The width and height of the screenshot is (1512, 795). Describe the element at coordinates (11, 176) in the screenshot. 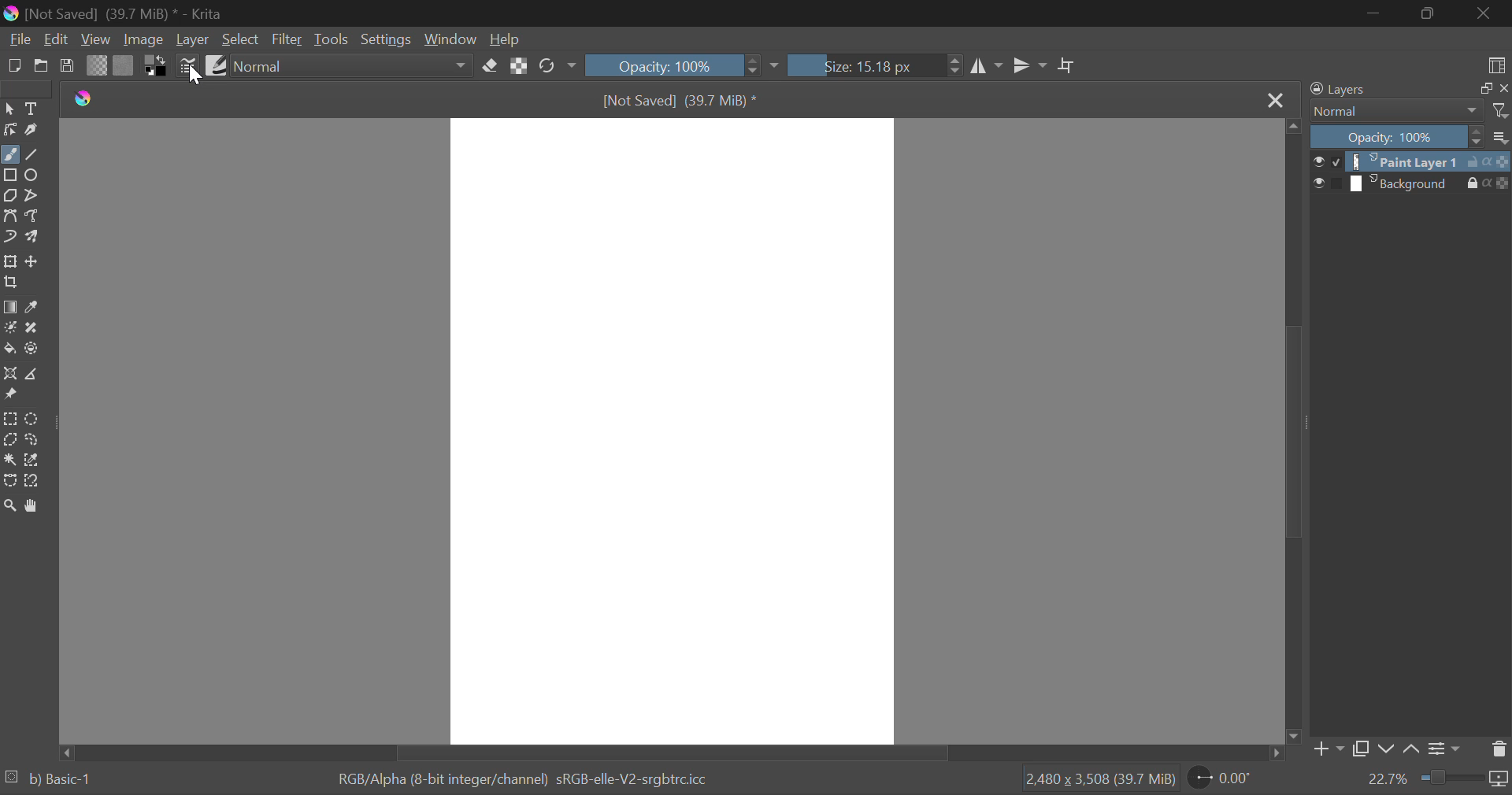

I see `Rectangle` at that location.